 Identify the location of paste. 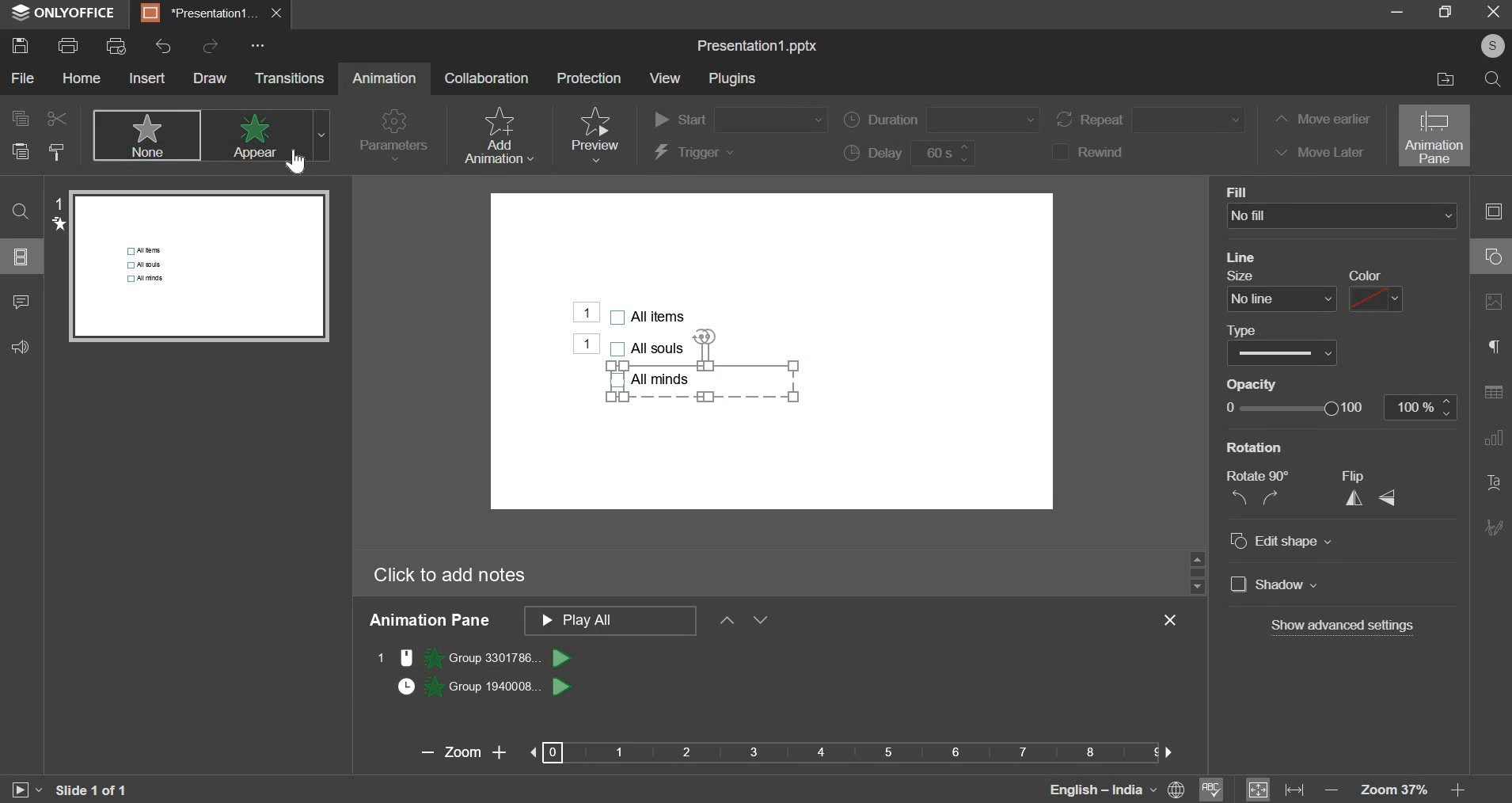
(20, 153).